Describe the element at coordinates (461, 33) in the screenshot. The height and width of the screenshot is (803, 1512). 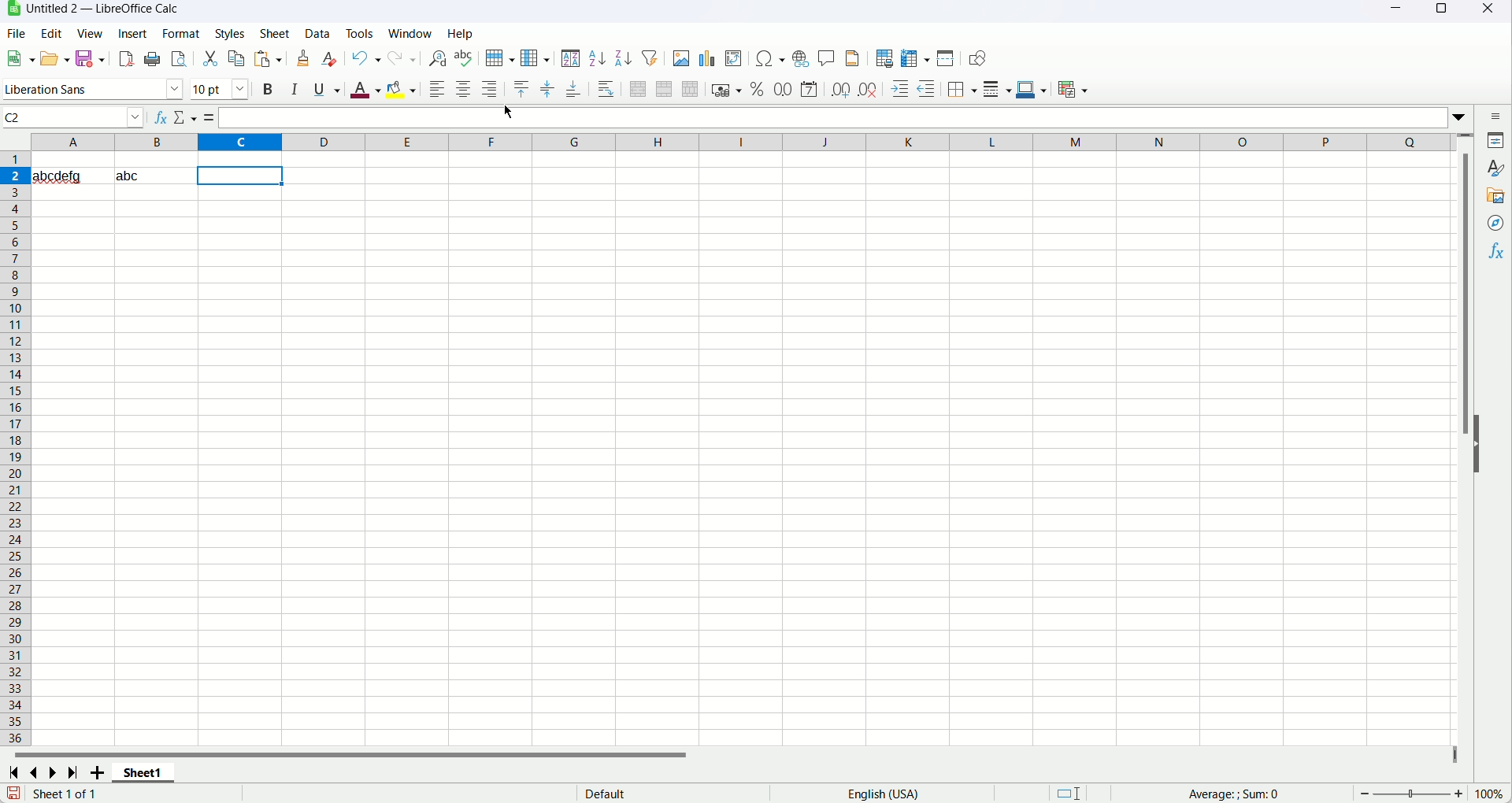
I see `help` at that location.